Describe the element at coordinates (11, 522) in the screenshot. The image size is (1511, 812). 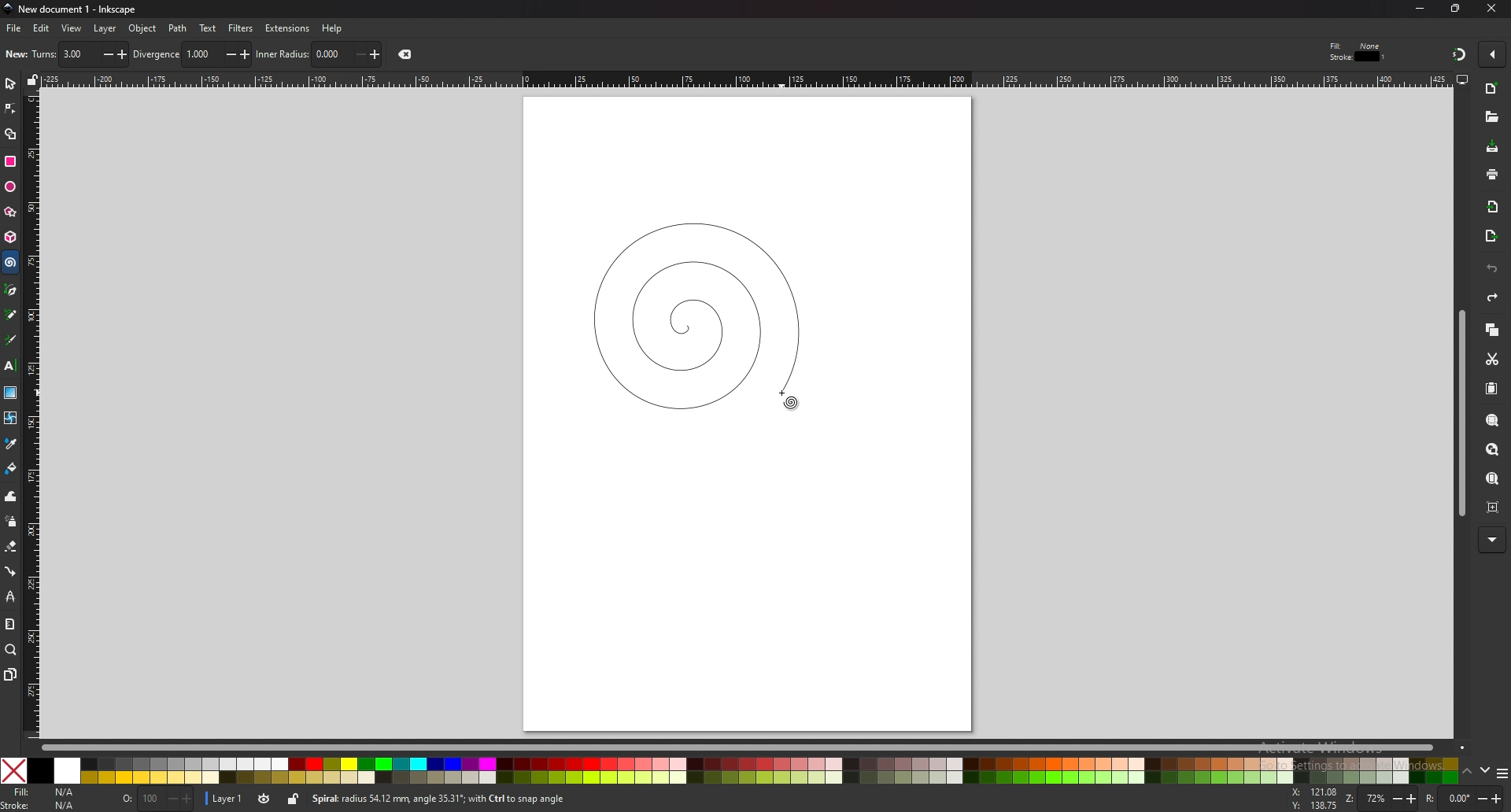
I see `spray` at that location.